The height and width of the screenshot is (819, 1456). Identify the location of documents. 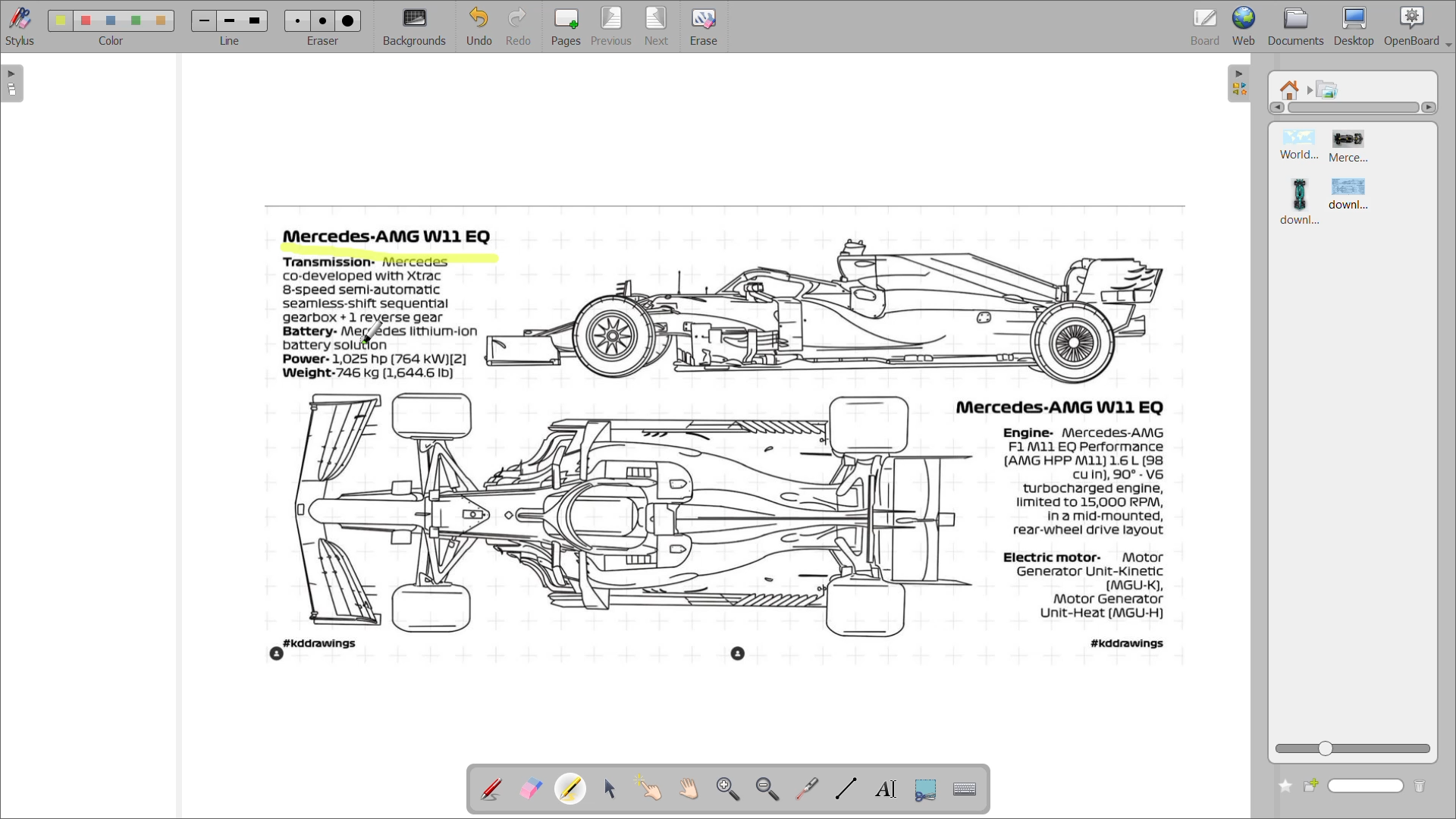
(1299, 27).